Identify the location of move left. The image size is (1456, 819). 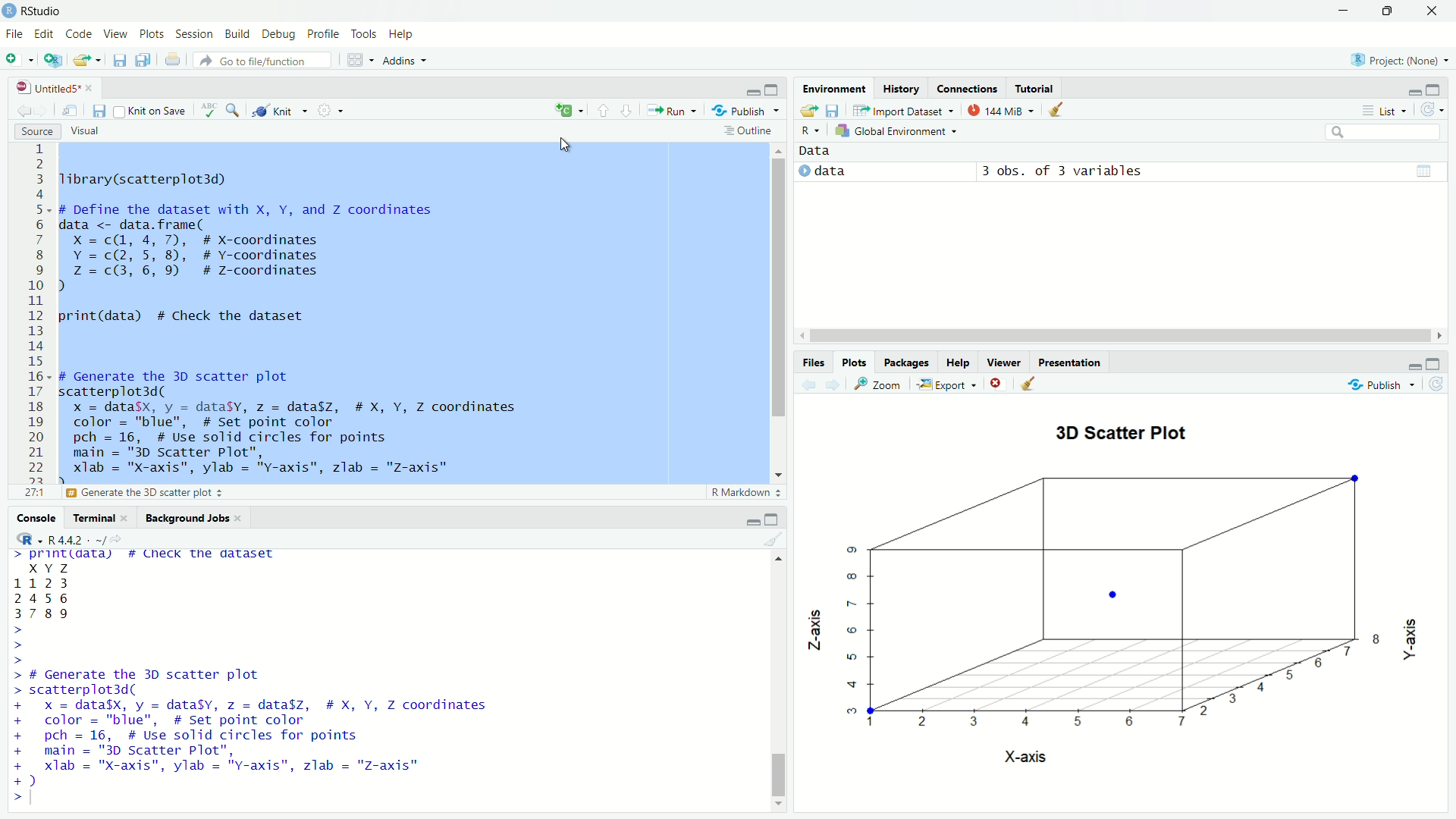
(803, 334).